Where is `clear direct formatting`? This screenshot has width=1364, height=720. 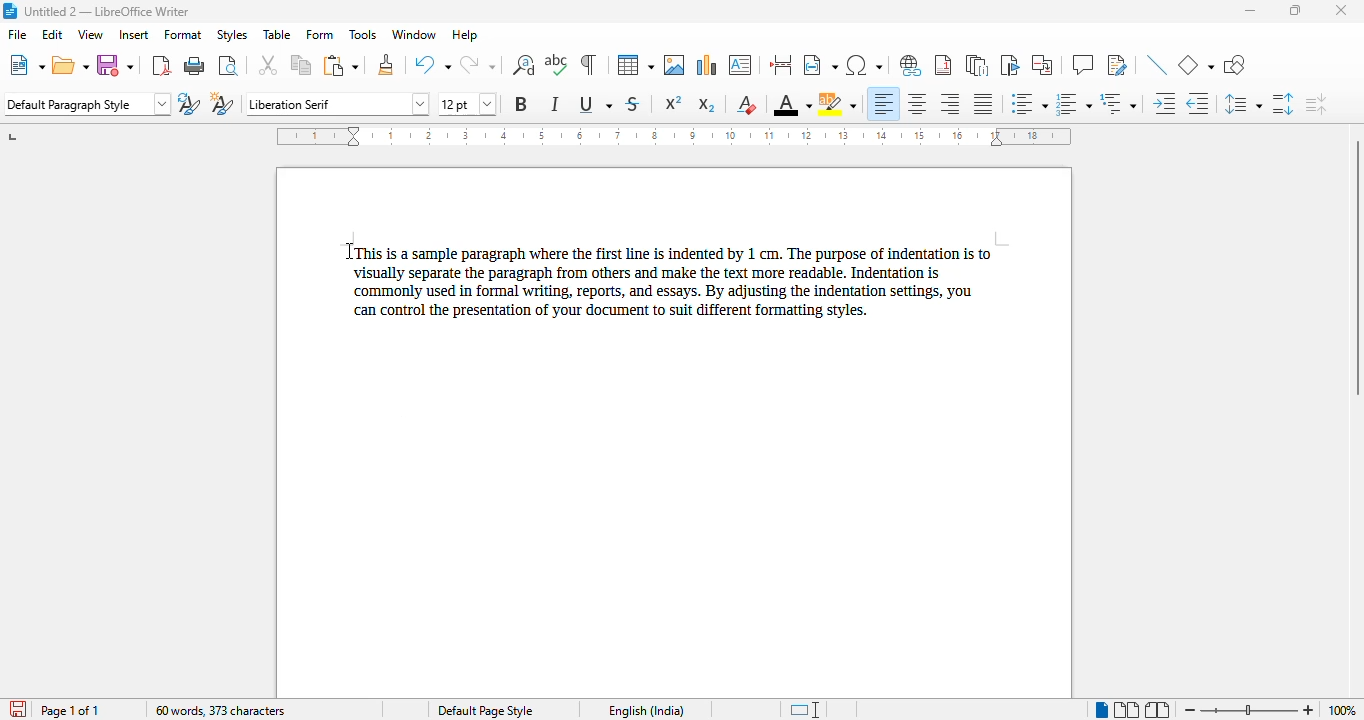 clear direct formatting is located at coordinates (746, 104).